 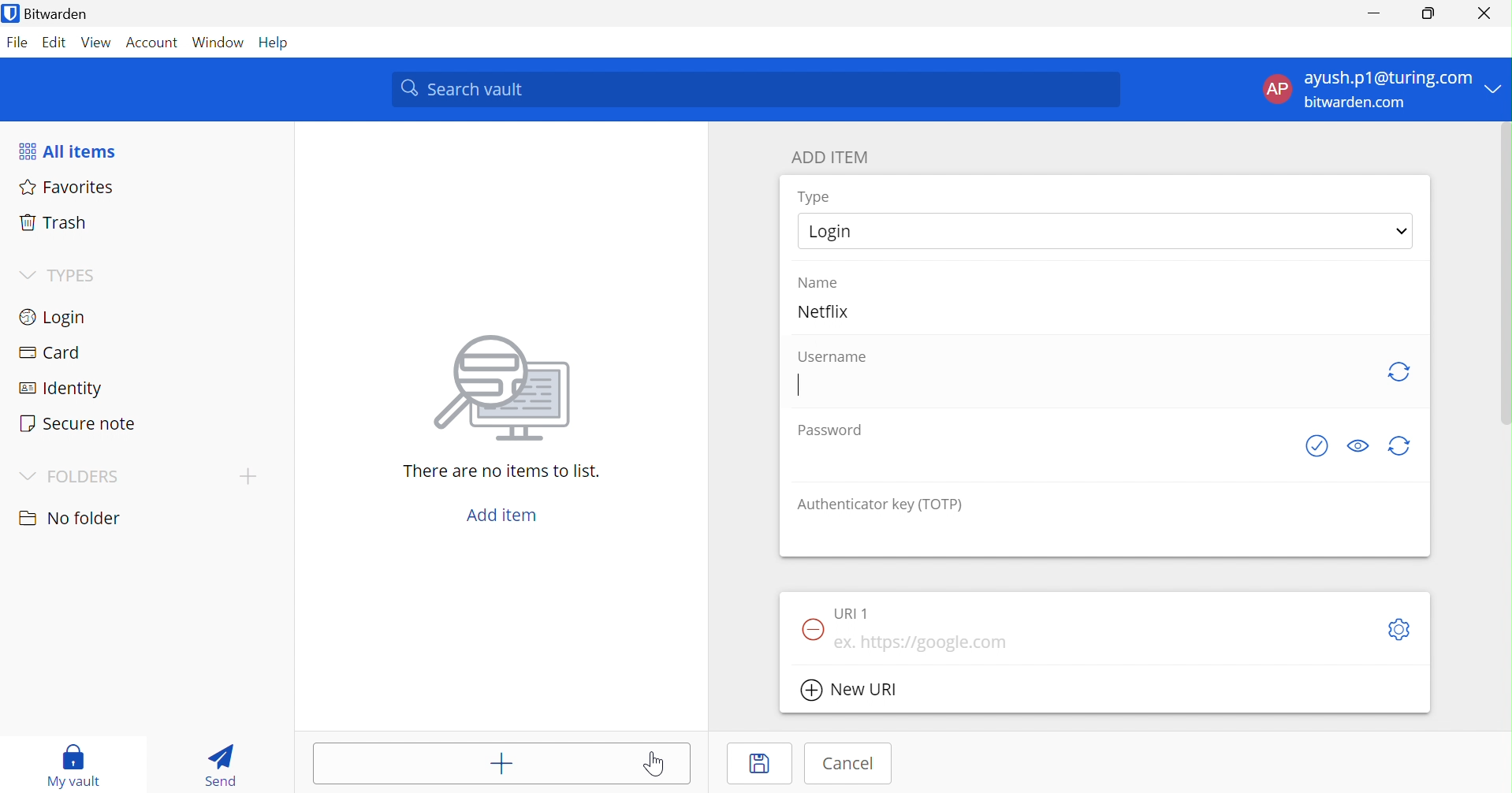 I want to click on Check if password as been exposed, so click(x=1316, y=446).